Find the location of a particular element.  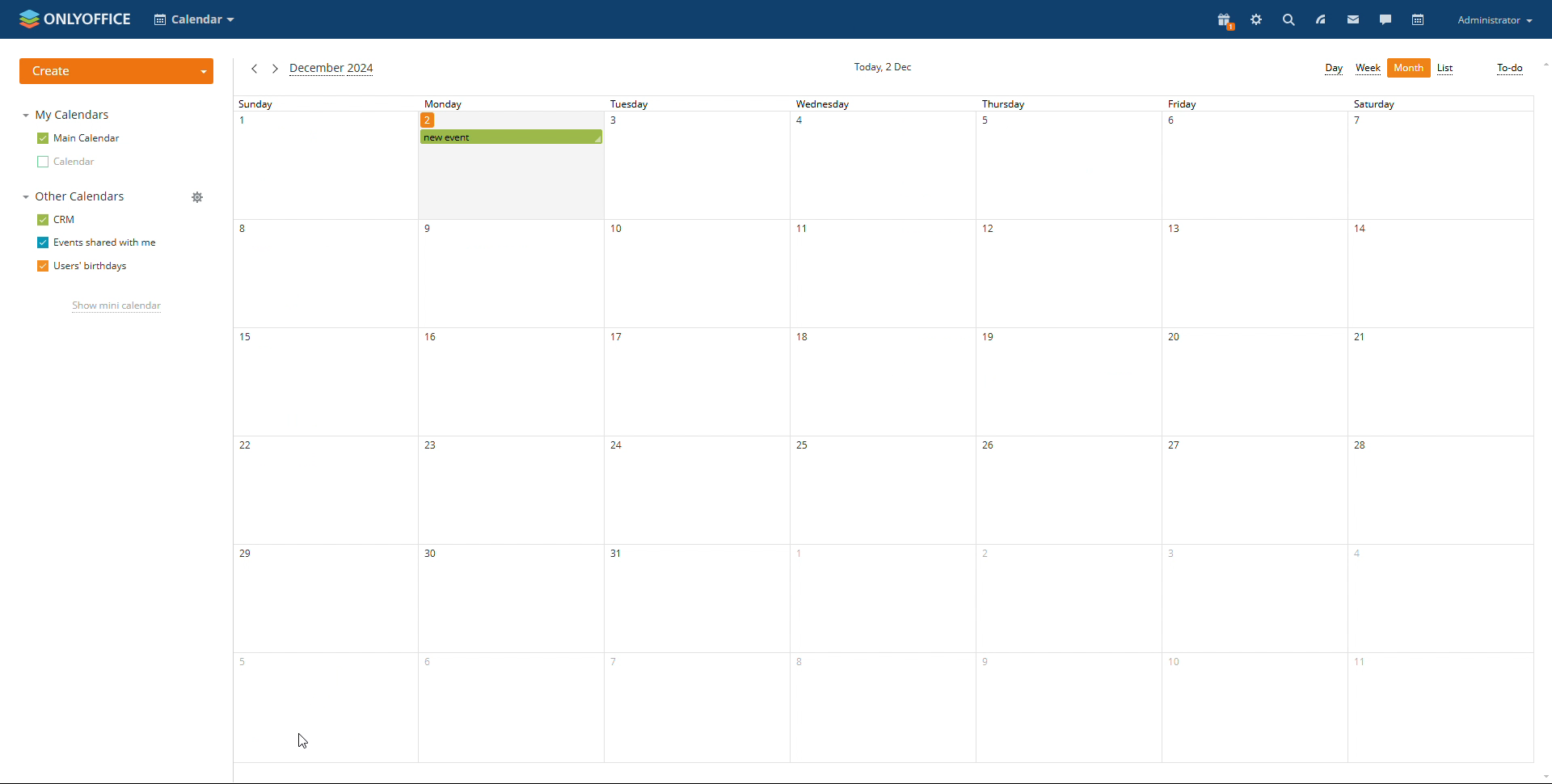

week view is located at coordinates (1369, 69).